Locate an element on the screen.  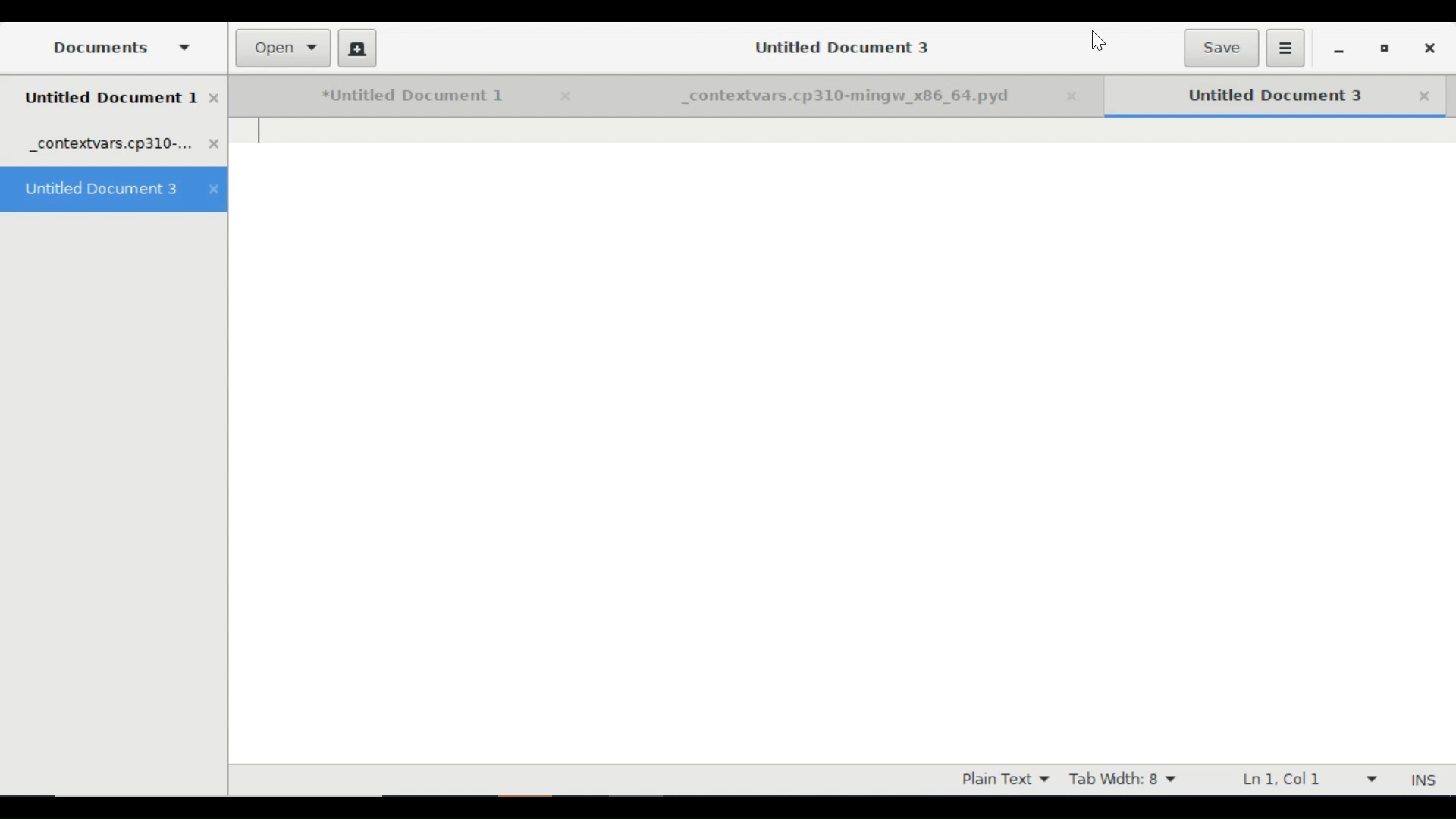
Close is located at coordinates (1078, 97).